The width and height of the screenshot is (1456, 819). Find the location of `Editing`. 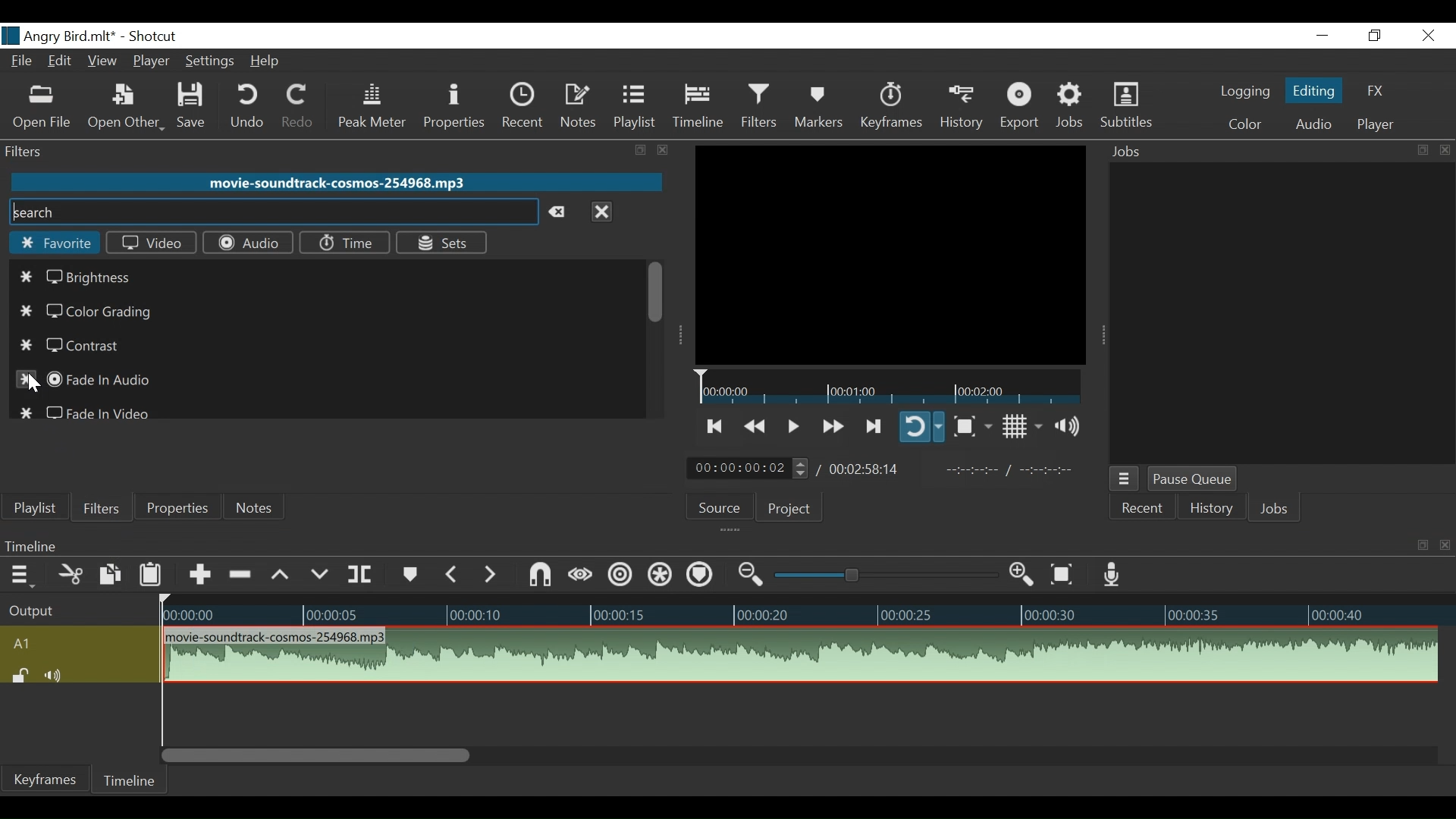

Editing is located at coordinates (1314, 88).